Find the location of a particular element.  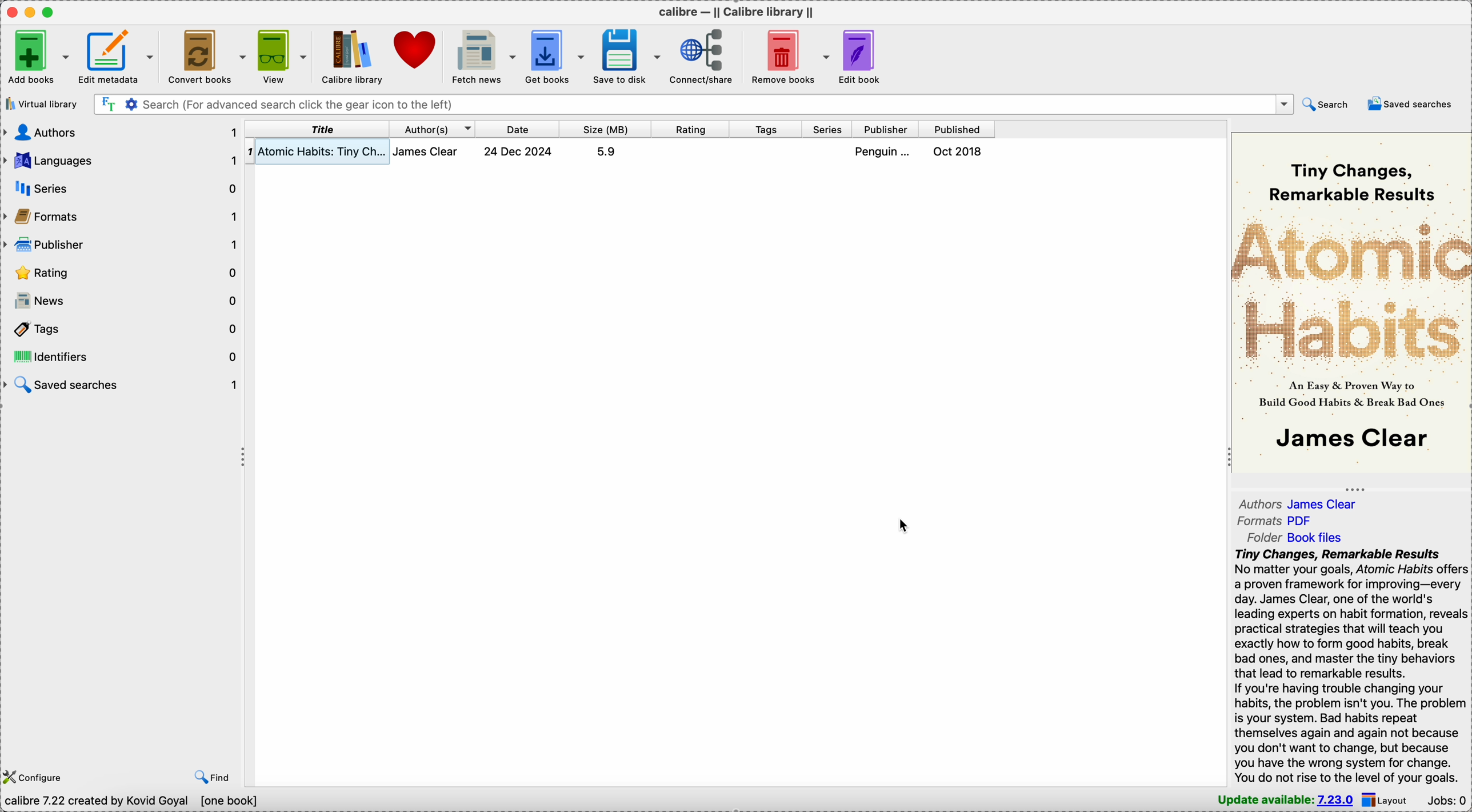

Calibre library is located at coordinates (351, 56).